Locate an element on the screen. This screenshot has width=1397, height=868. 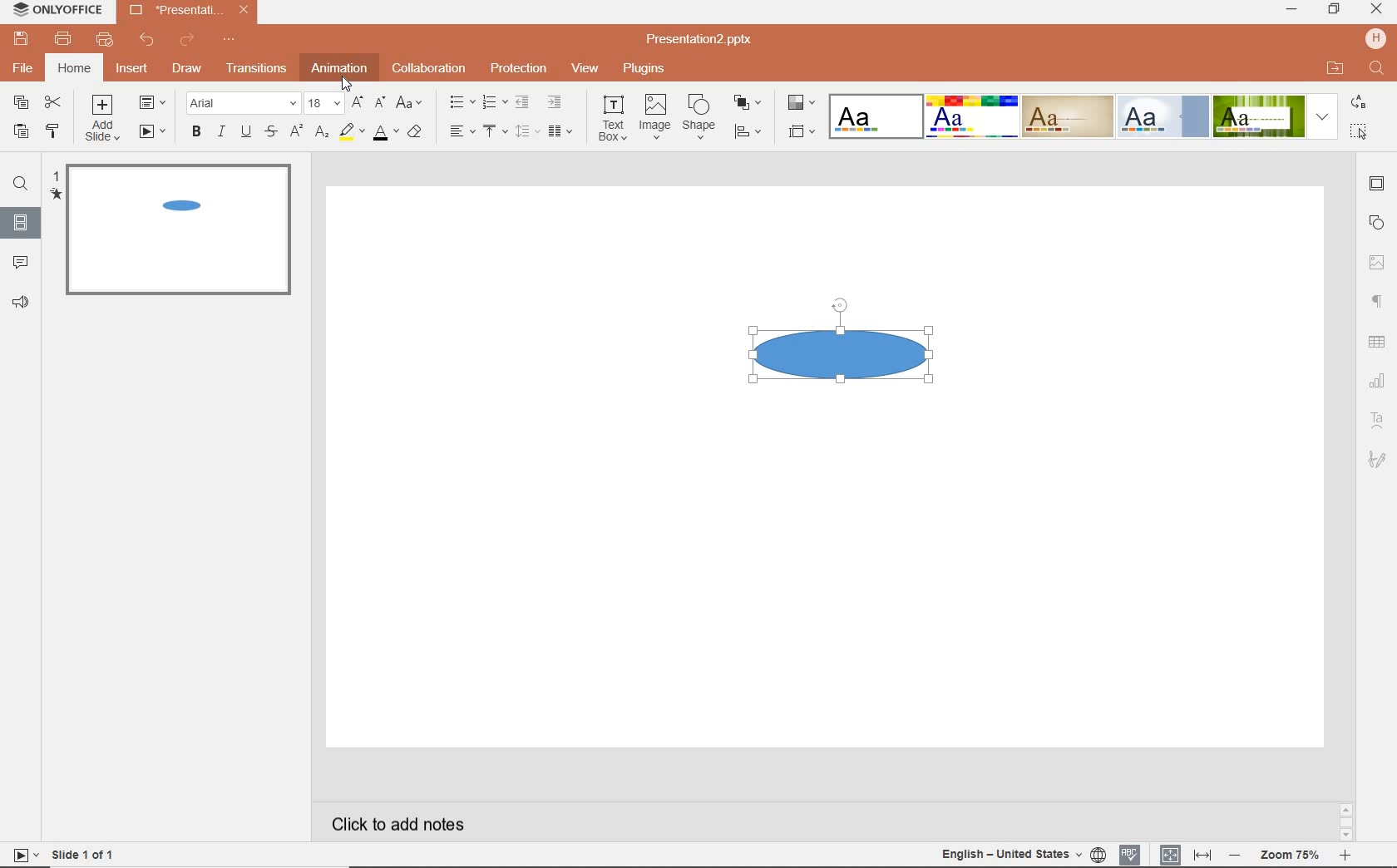
DECREMENT FONT SIZE is located at coordinates (378, 103).